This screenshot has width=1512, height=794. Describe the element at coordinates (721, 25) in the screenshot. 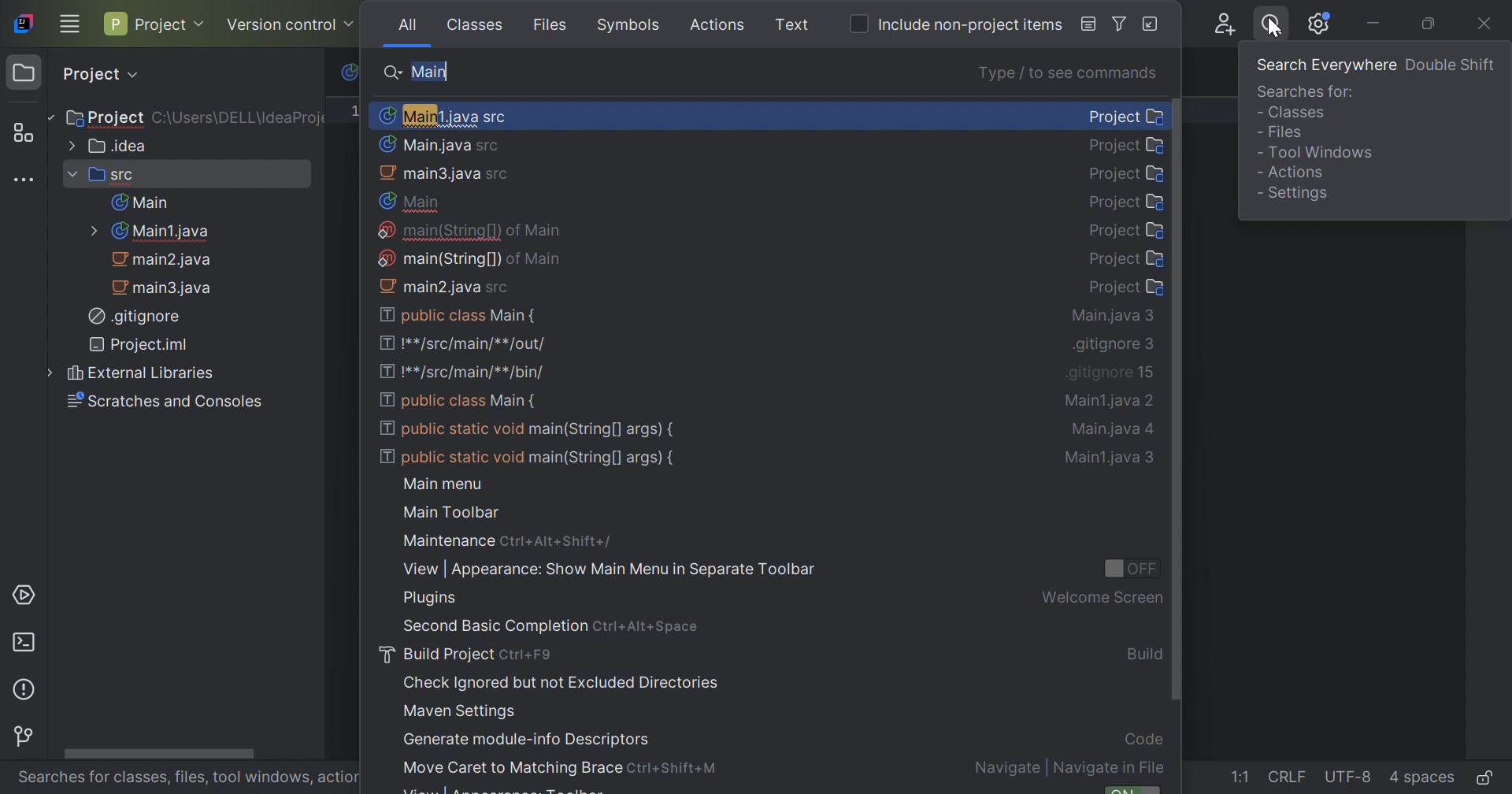

I see `Actions` at that location.